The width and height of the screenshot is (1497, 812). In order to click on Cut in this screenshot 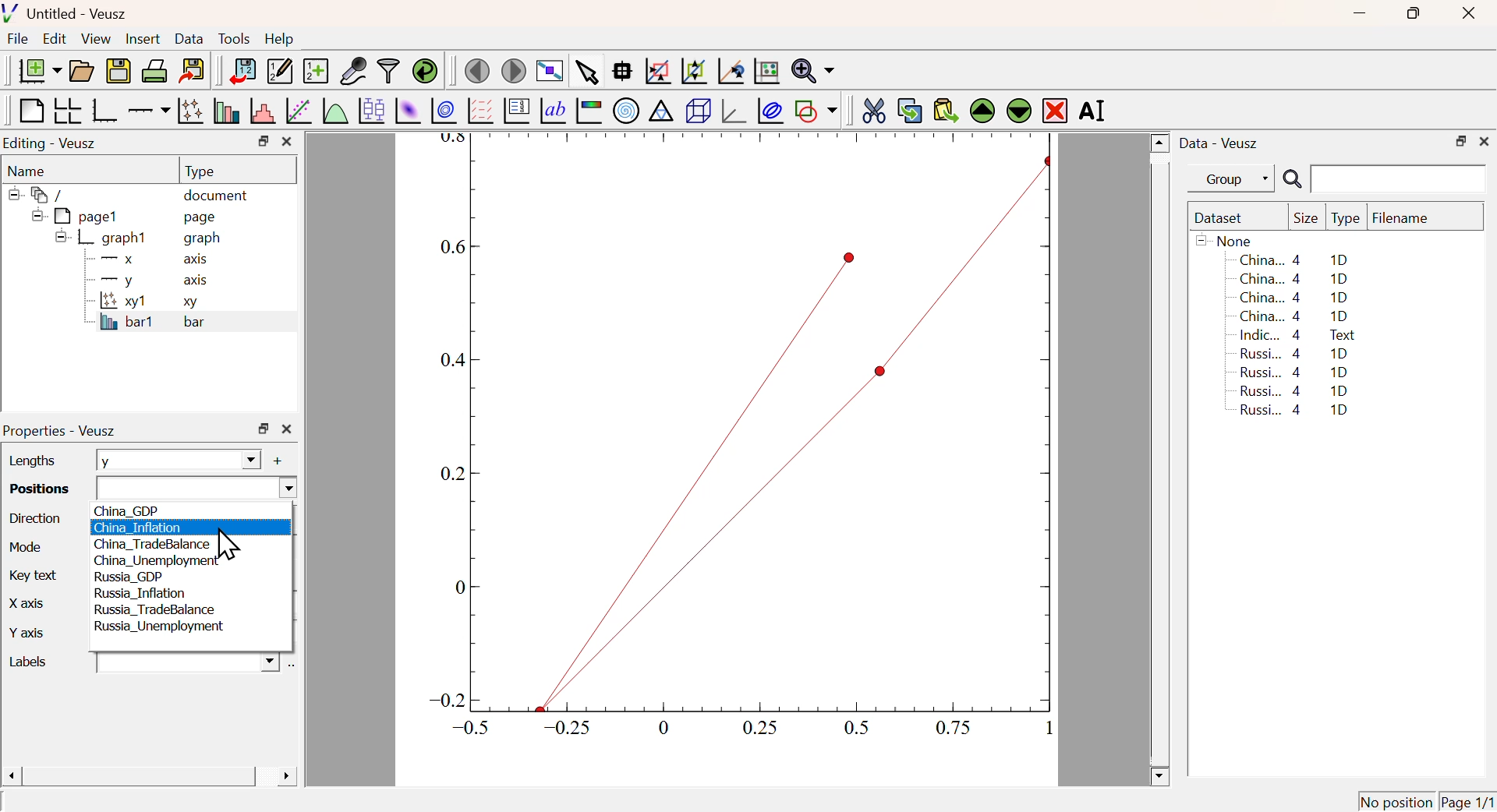, I will do `click(873, 109)`.